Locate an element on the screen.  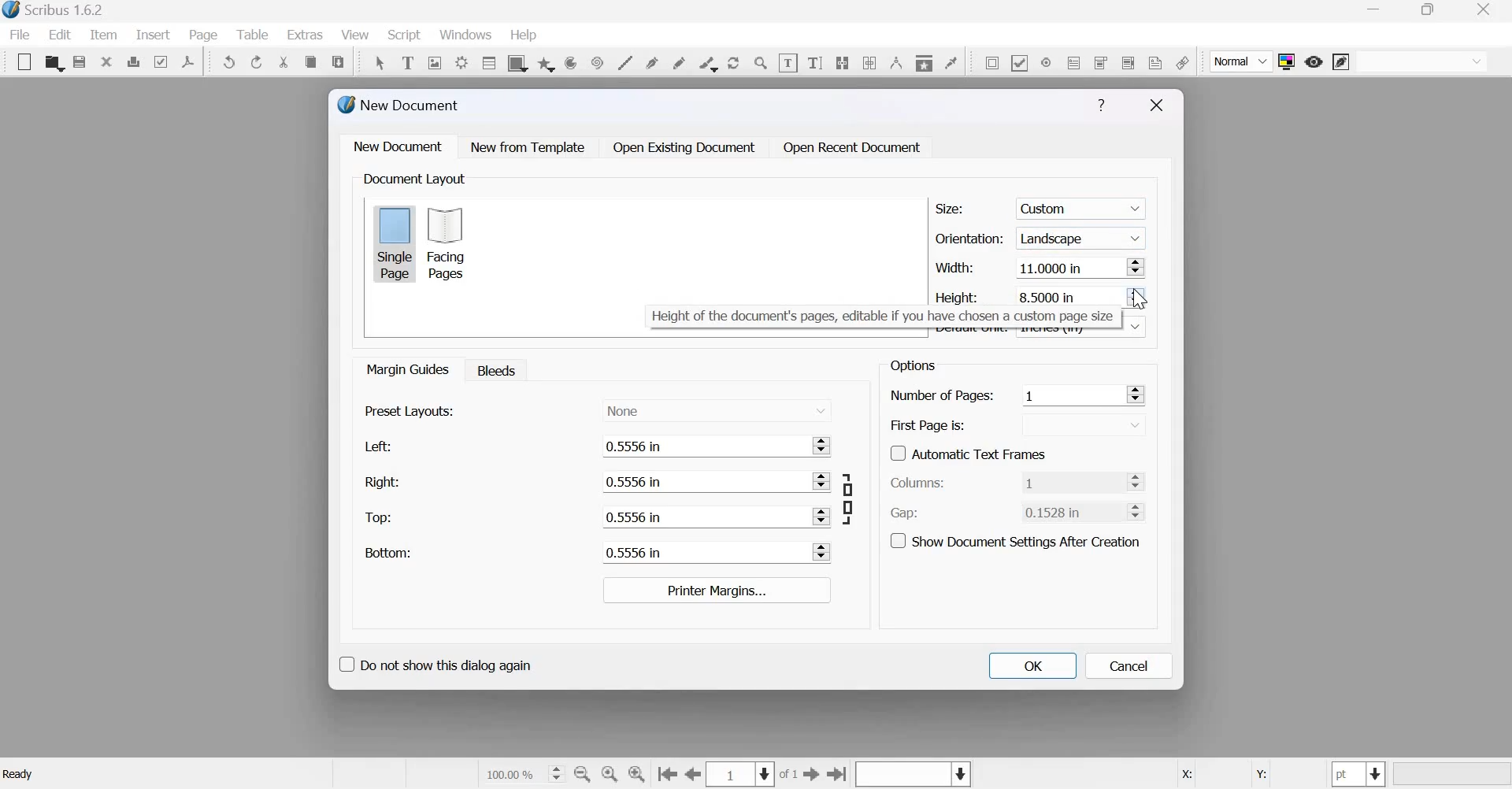
Left: is located at coordinates (376, 446).